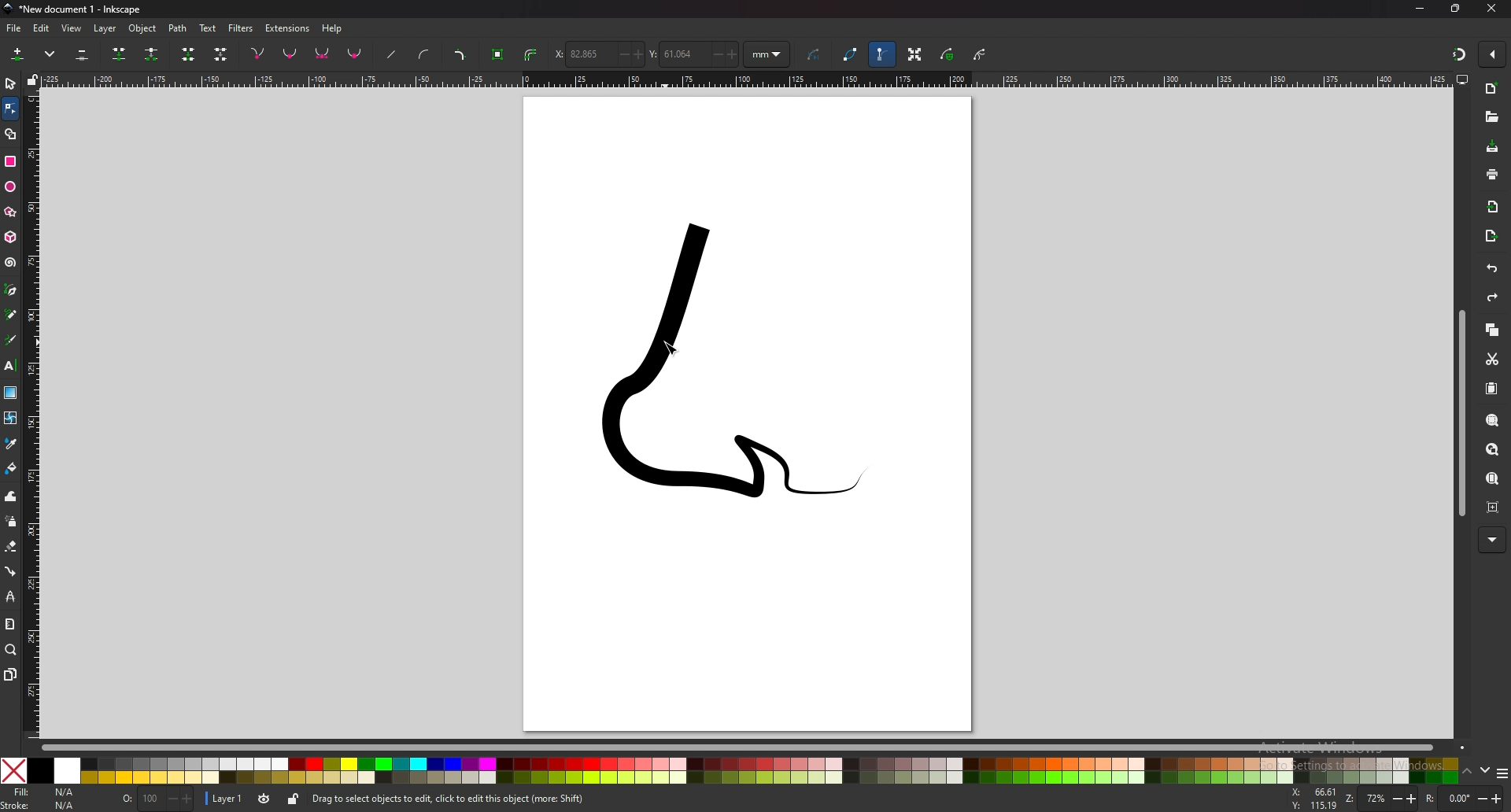 The image size is (1511, 812). Describe the element at coordinates (693, 54) in the screenshot. I see `y coordinates` at that location.